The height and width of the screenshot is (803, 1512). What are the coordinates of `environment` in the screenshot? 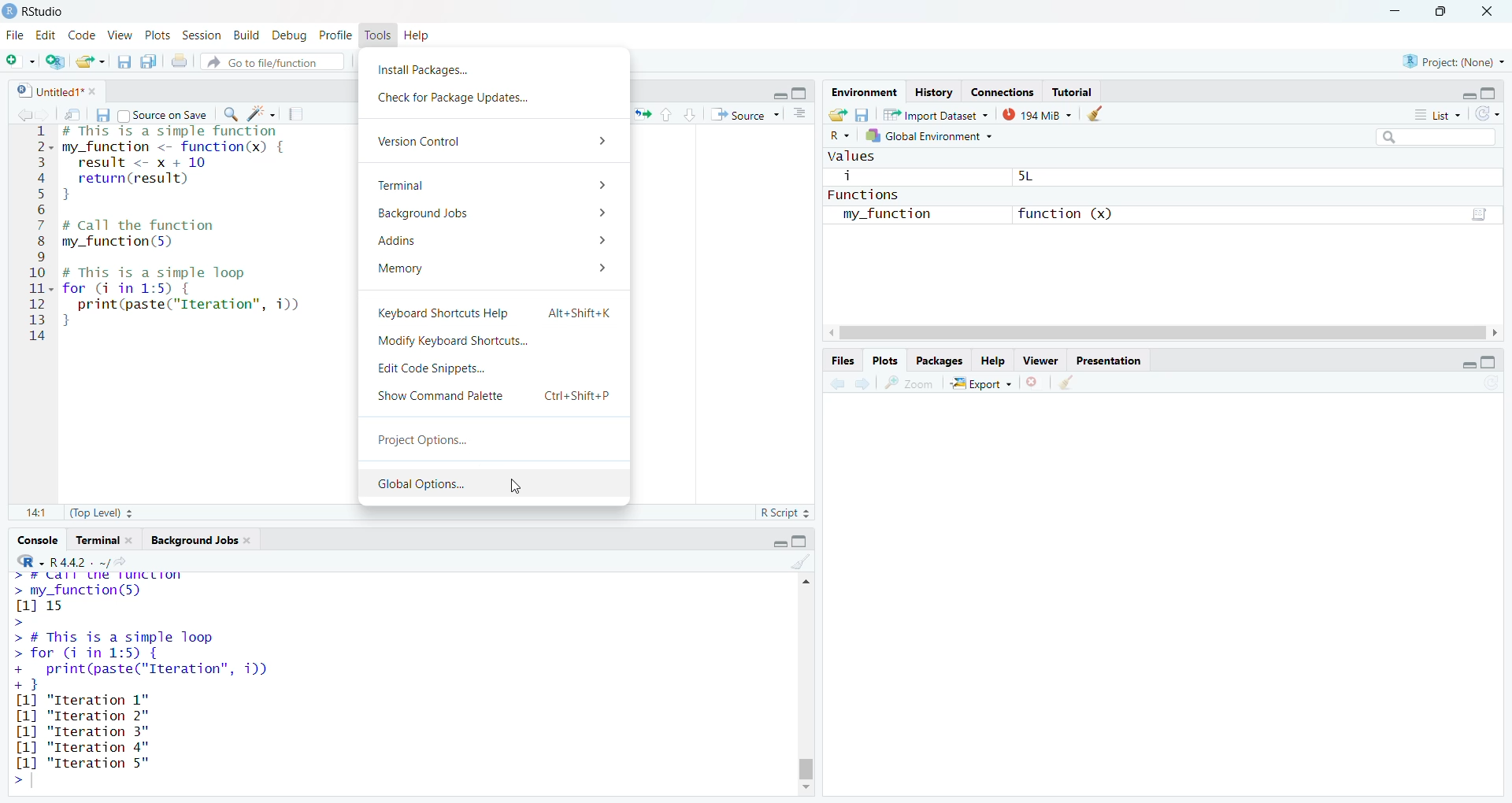 It's located at (866, 92).